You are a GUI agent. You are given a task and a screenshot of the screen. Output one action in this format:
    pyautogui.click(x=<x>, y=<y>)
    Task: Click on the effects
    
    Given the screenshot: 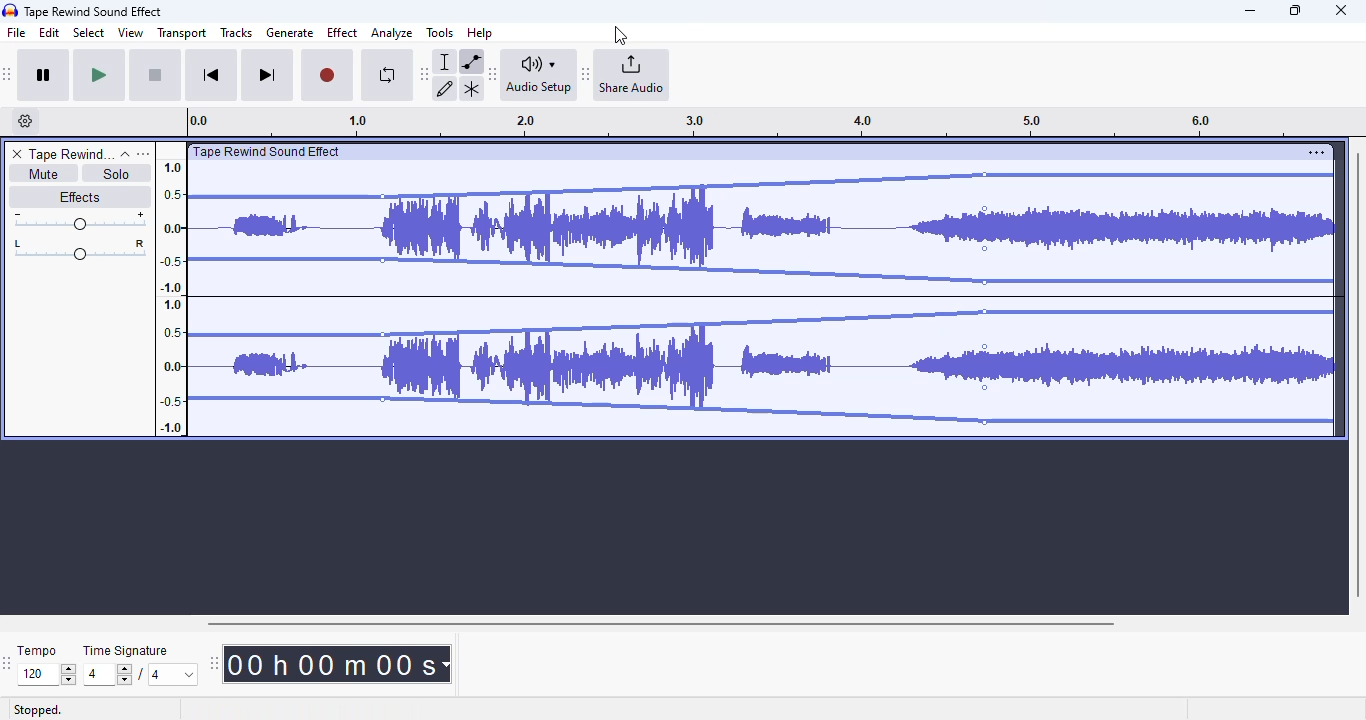 What is the action you would take?
    pyautogui.click(x=79, y=196)
    